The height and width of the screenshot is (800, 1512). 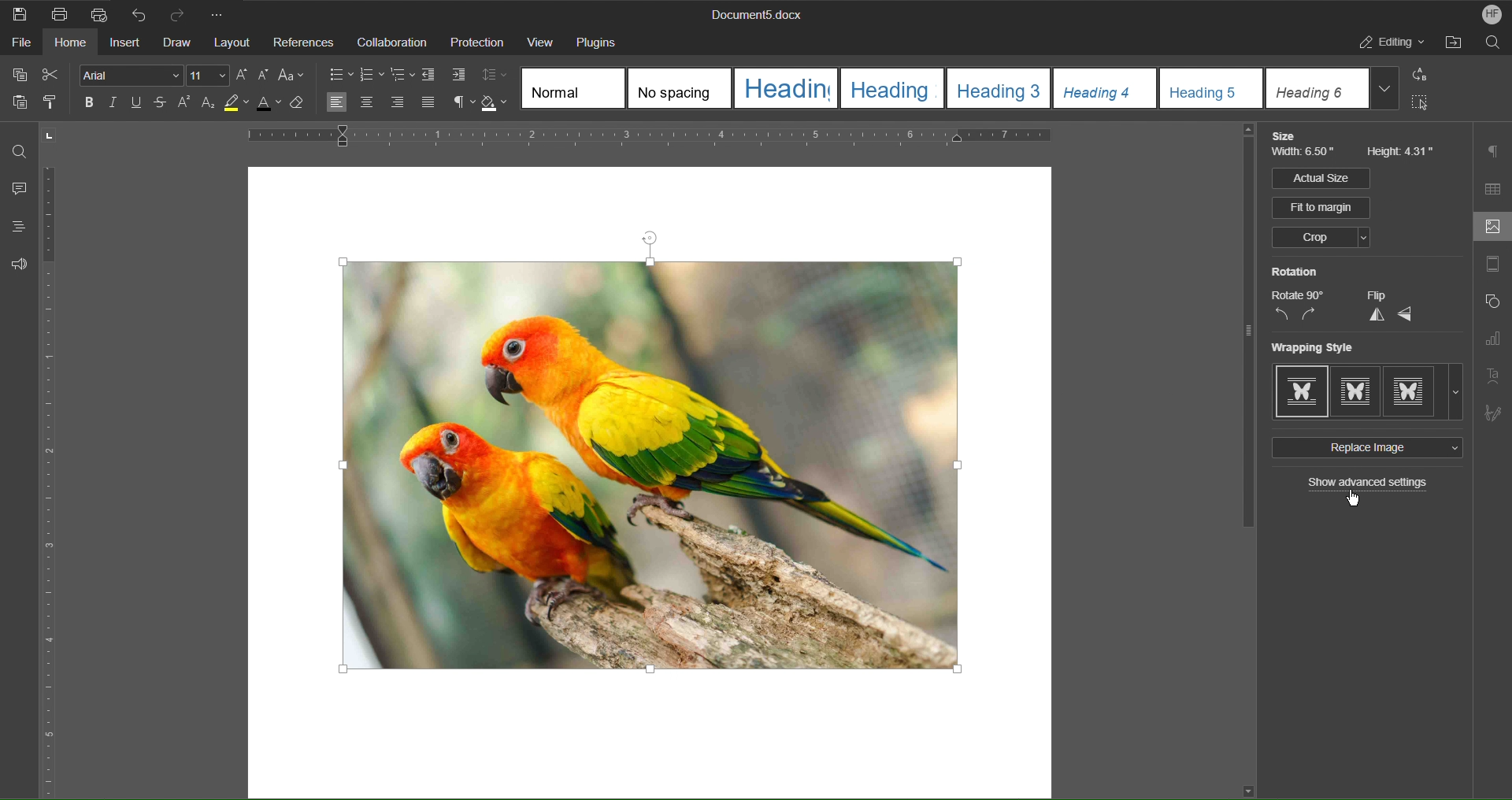 I want to click on Rotation, so click(x=1295, y=272).